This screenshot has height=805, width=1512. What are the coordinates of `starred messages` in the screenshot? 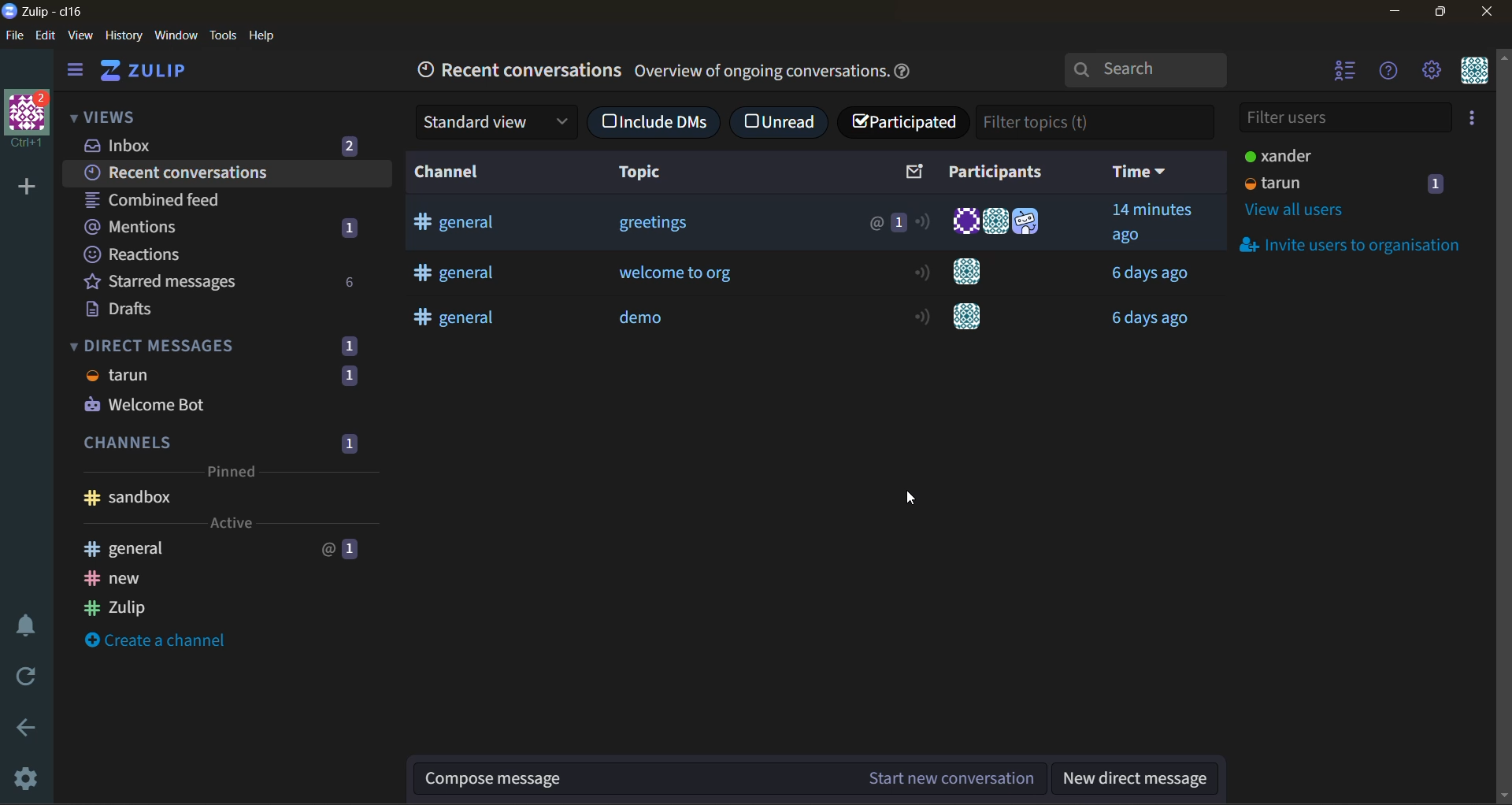 It's located at (222, 281).